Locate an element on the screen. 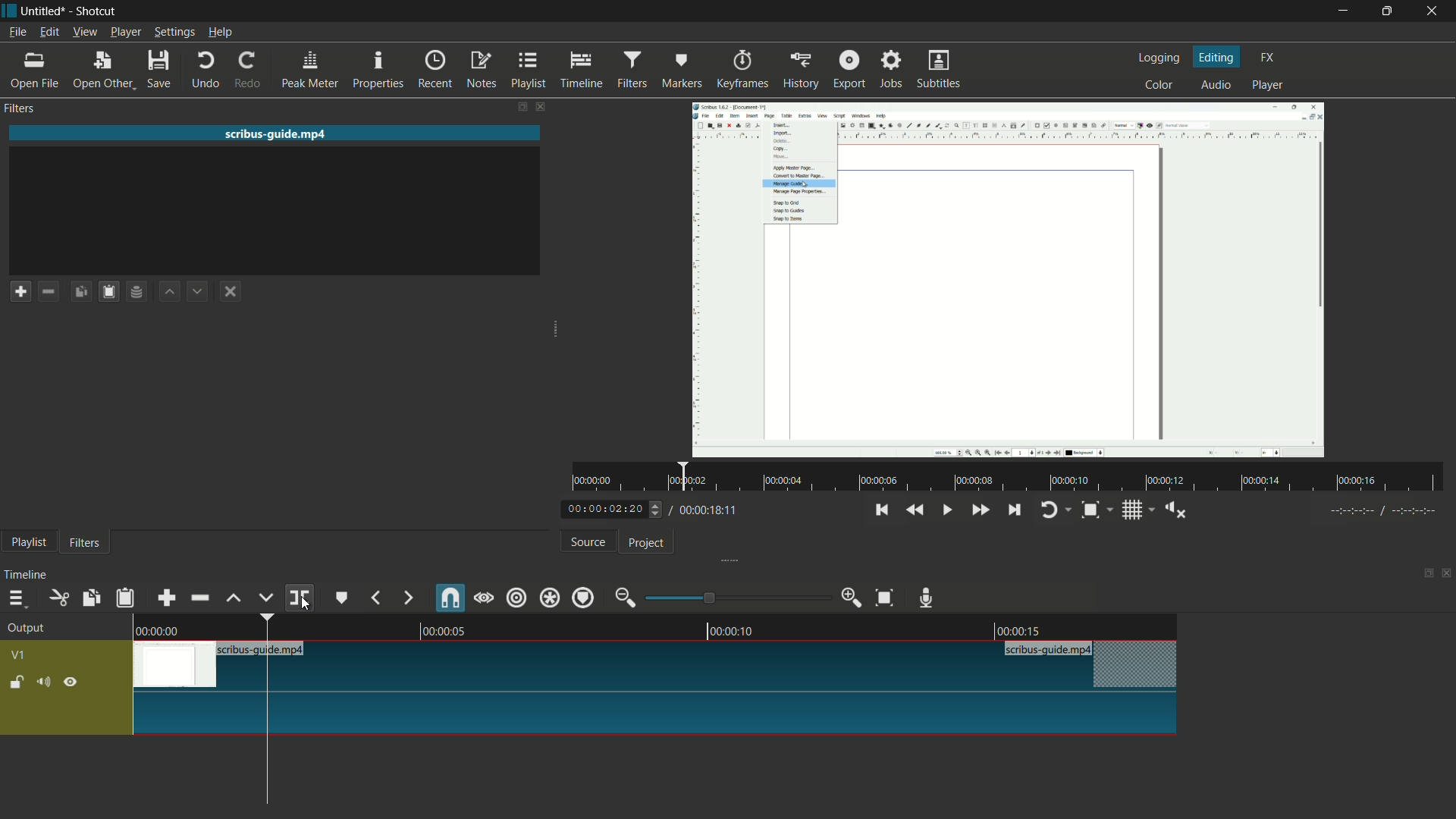 The height and width of the screenshot is (819, 1456). player is located at coordinates (1267, 84).